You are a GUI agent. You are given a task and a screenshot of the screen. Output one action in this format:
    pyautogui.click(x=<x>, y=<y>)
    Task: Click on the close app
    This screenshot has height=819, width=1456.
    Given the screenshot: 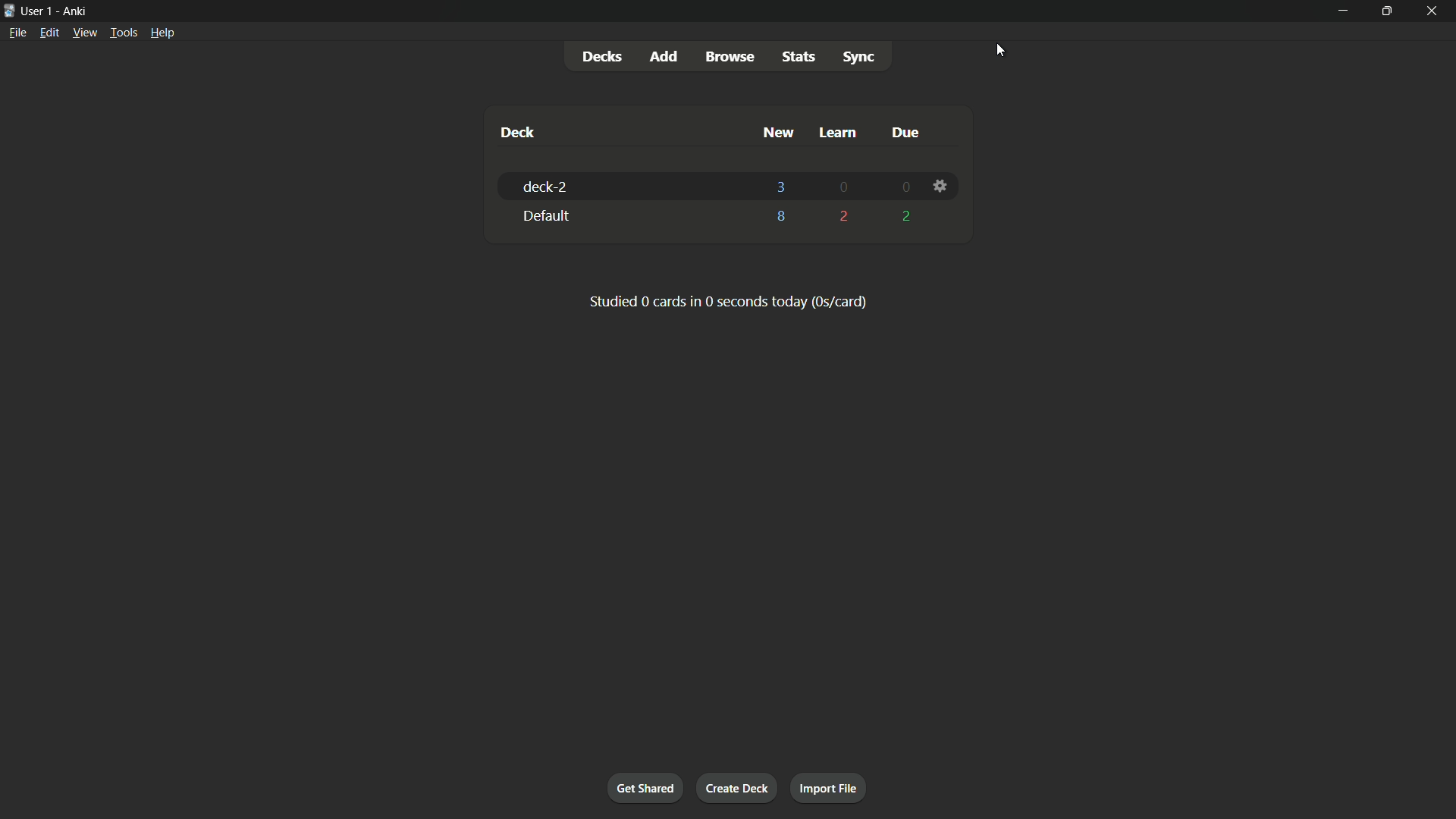 What is the action you would take?
    pyautogui.click(x=1436, y=10)
    